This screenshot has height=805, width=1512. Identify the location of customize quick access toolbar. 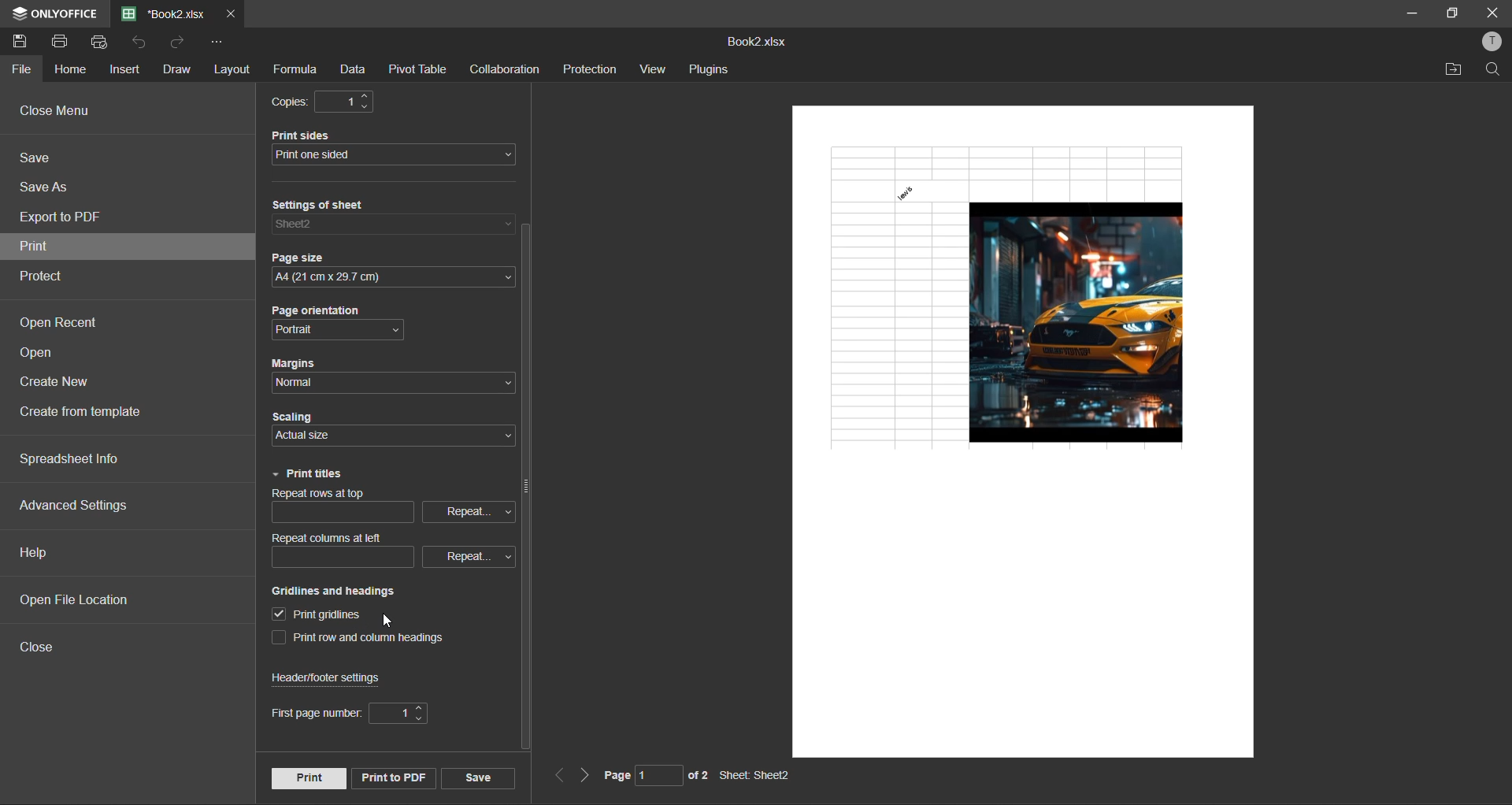
(212, 42).